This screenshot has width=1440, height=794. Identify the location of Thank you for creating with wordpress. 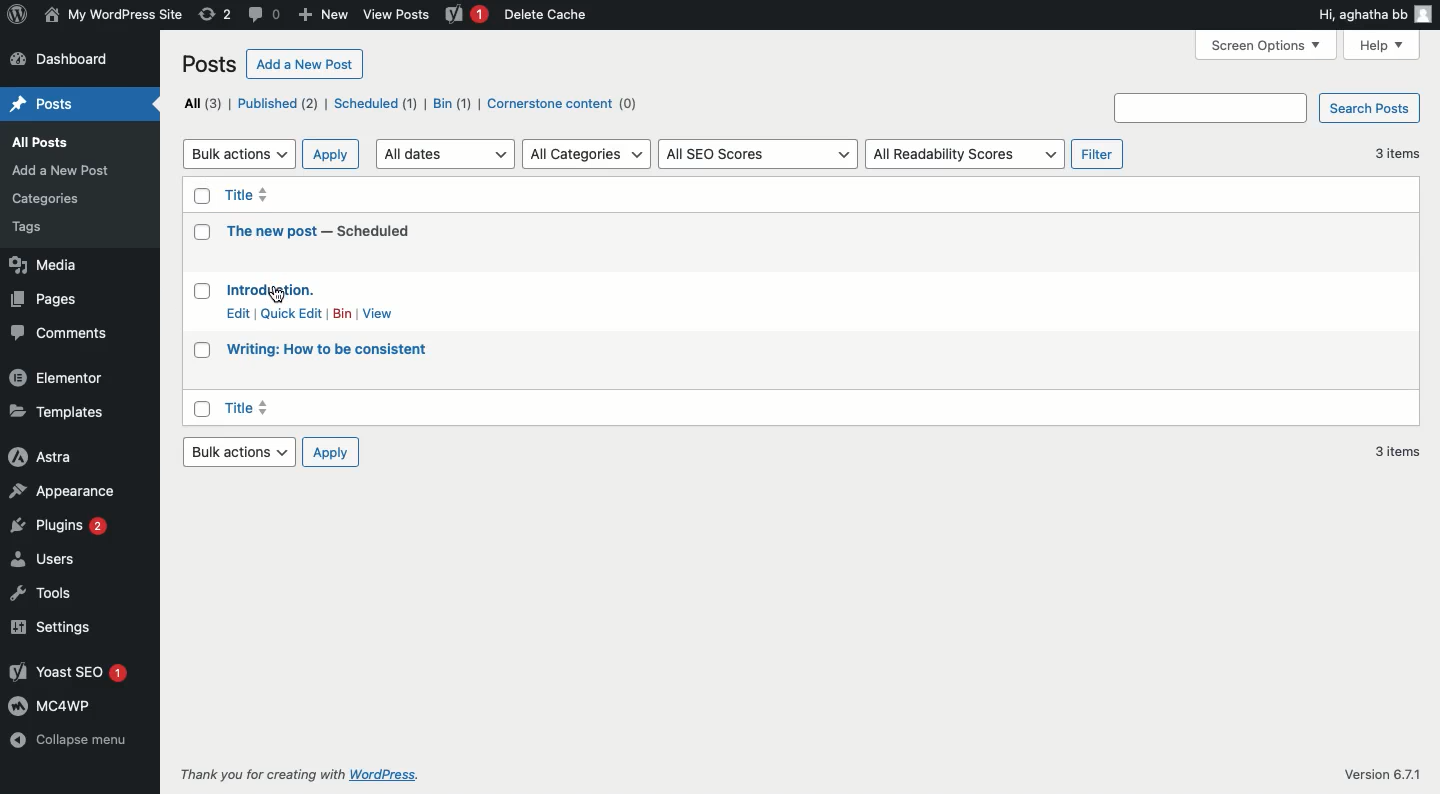
(310, 775).